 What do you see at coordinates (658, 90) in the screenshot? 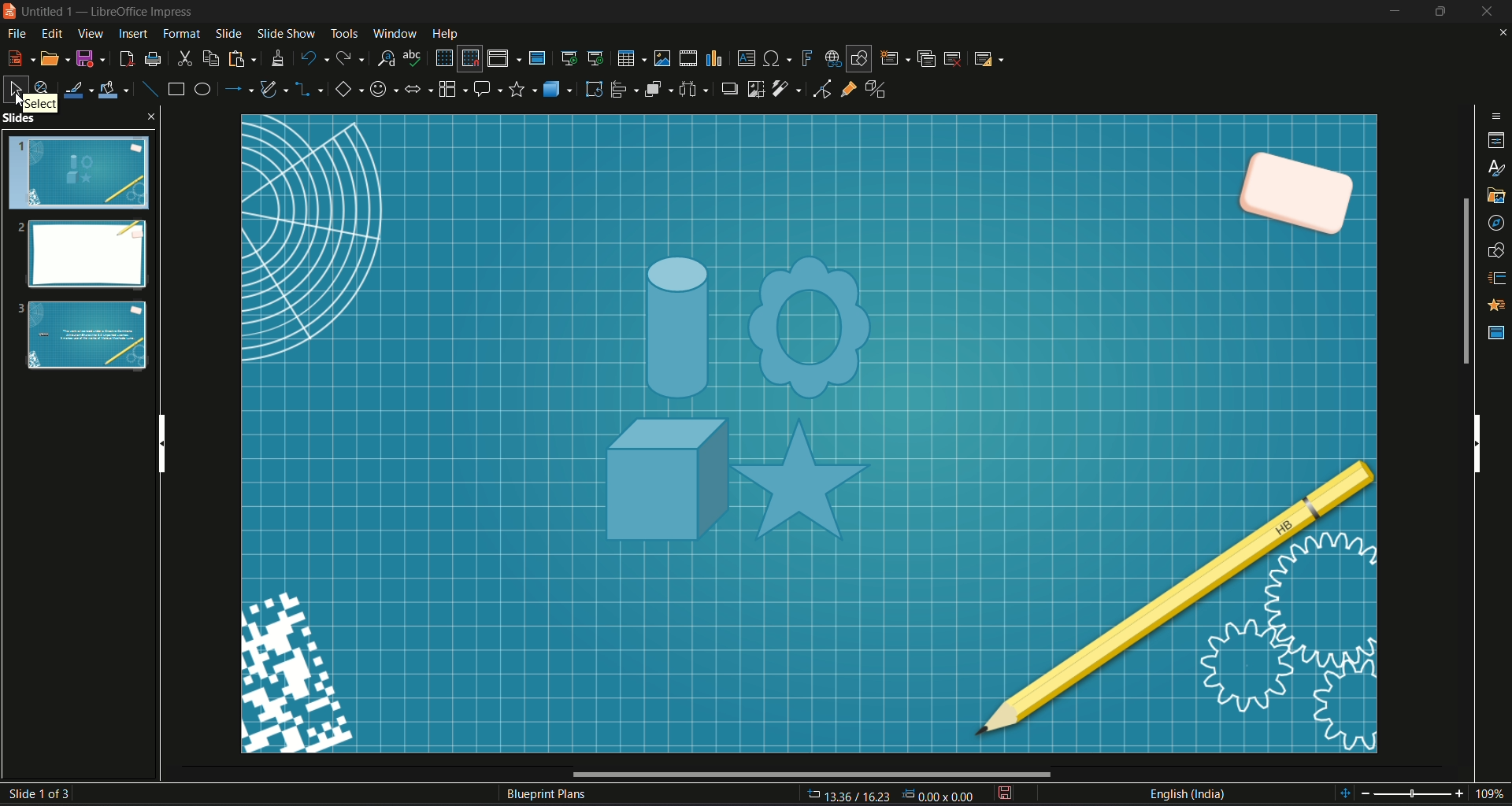
I see `arrange` at bounding box center [658, 90].